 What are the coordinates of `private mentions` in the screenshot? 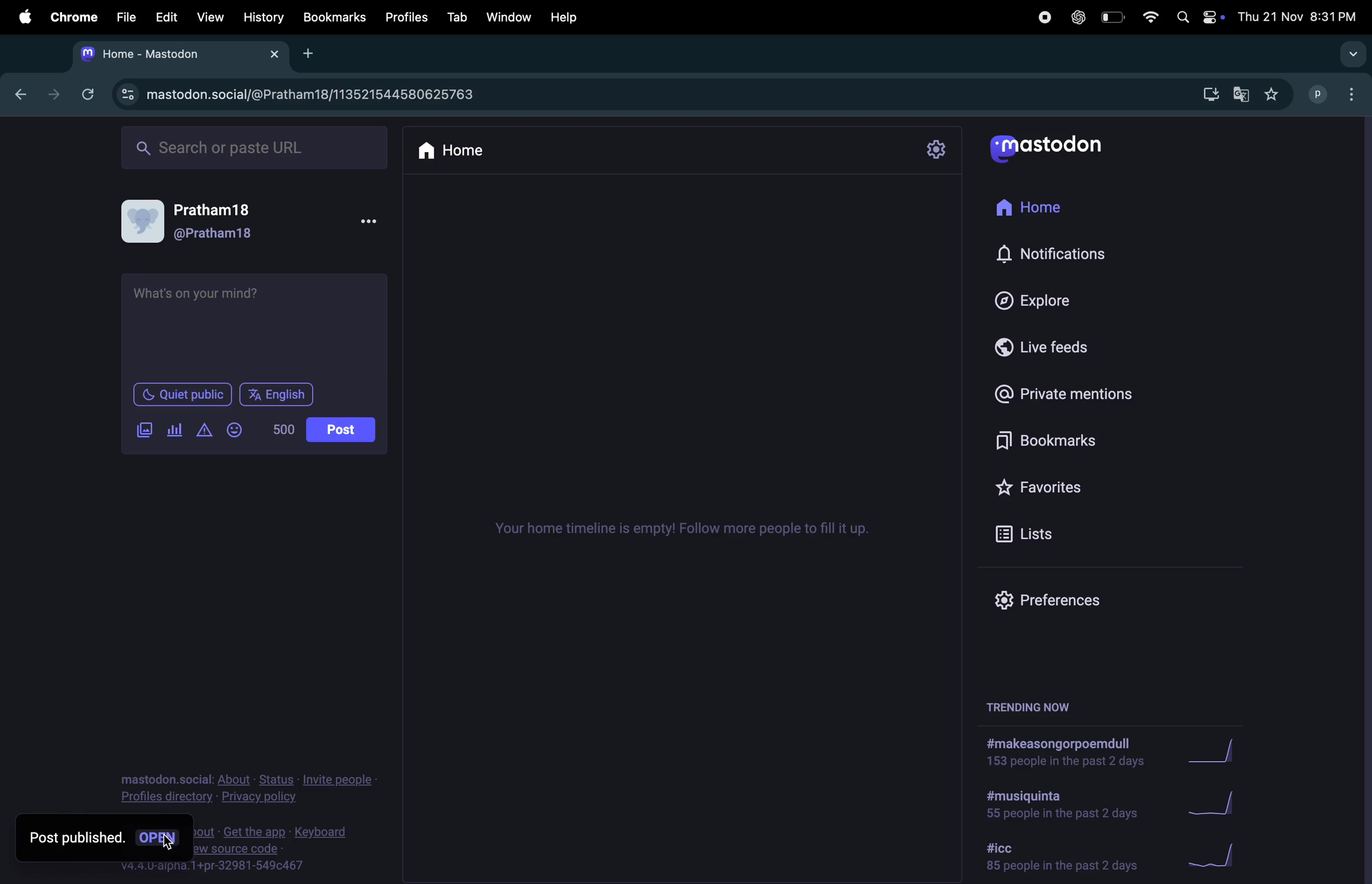 It's located at (1061, 396).